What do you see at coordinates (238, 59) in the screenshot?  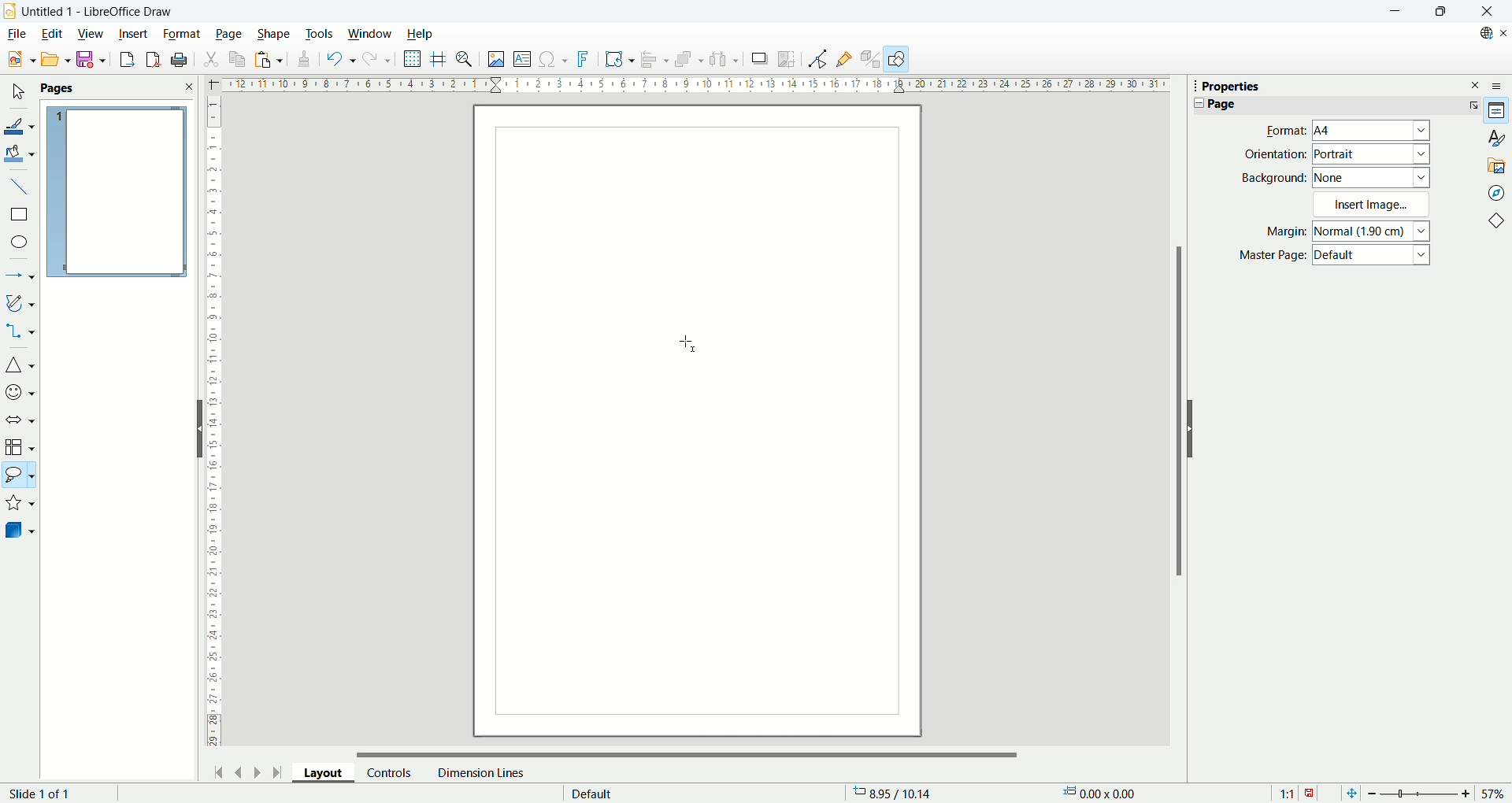 I see `copy` at bounding box center [238, 59].